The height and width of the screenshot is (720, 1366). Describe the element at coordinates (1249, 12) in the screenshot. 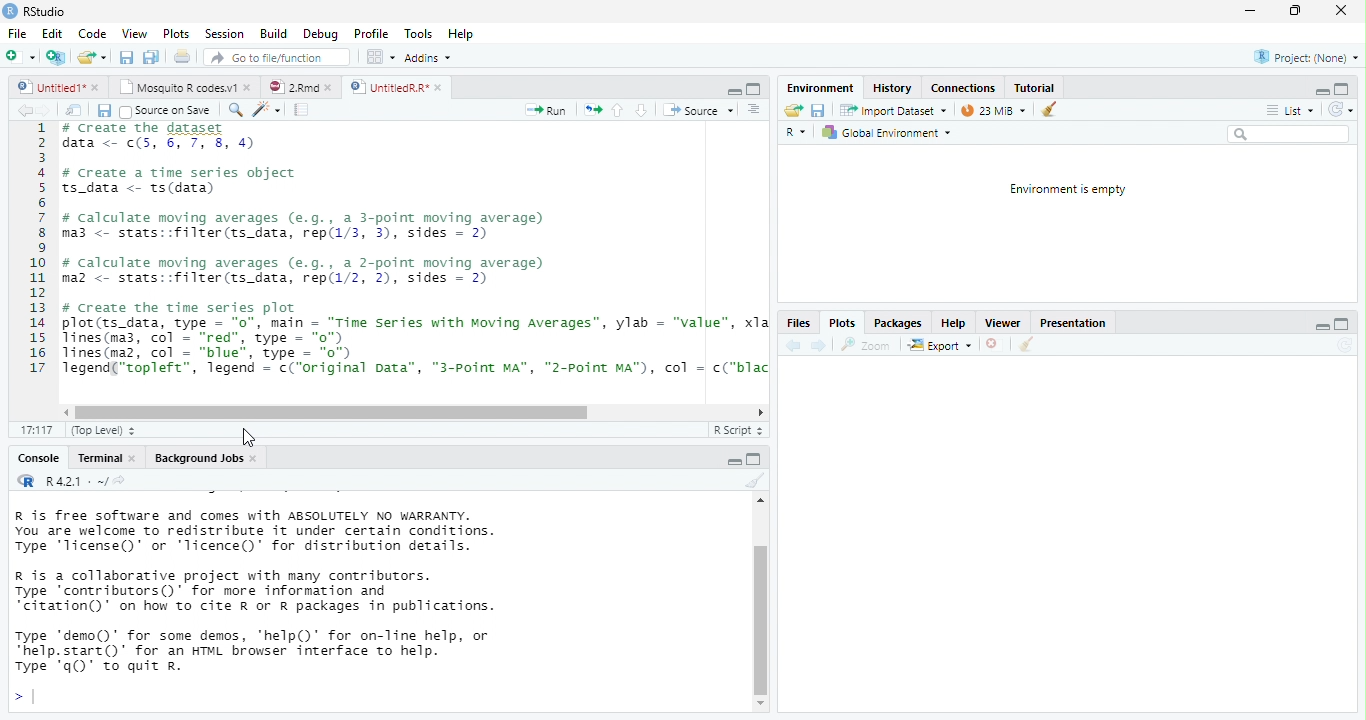

I see `minimize` at that location.